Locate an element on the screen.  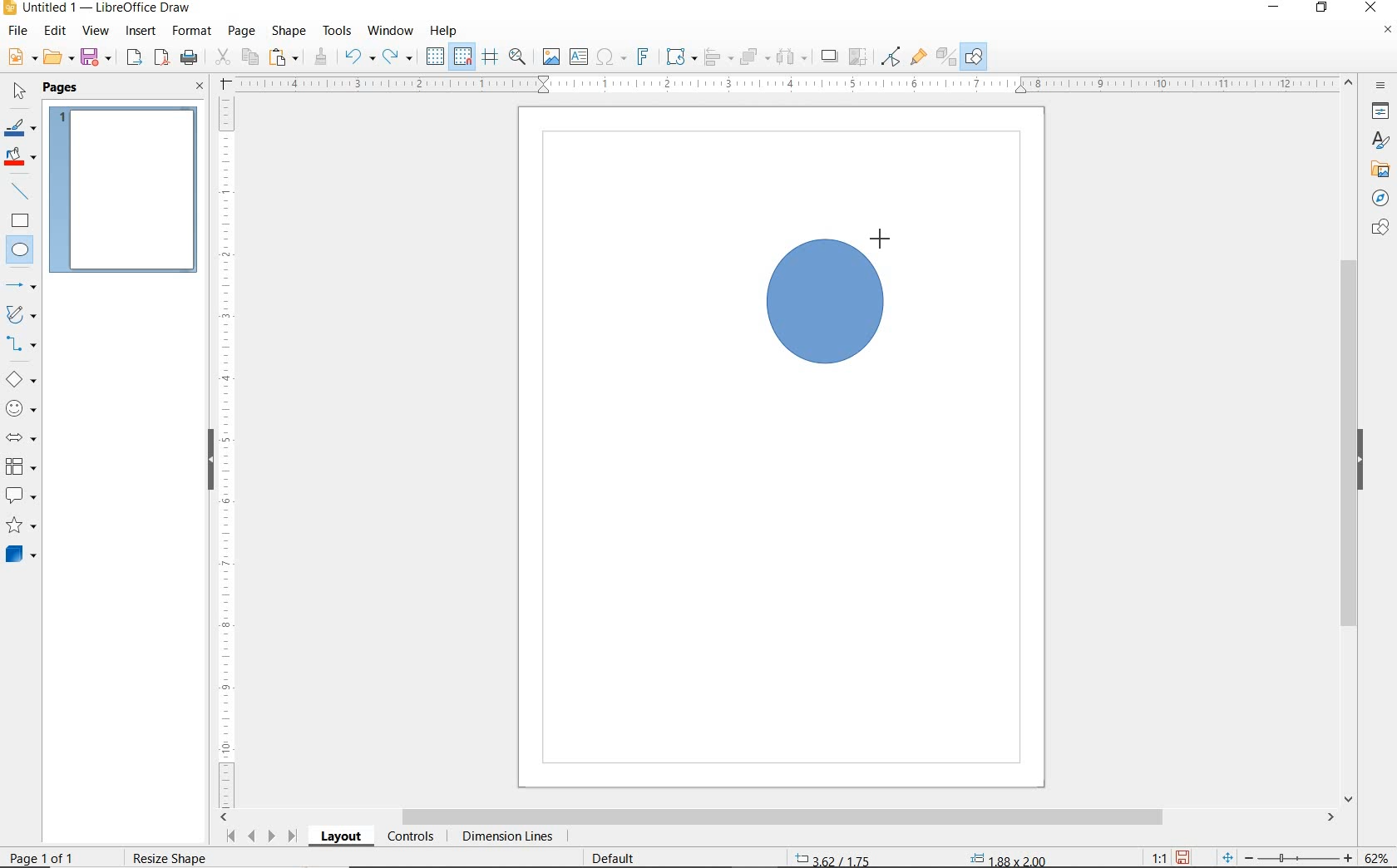
STYLES is located at coordinates (1376, 143).